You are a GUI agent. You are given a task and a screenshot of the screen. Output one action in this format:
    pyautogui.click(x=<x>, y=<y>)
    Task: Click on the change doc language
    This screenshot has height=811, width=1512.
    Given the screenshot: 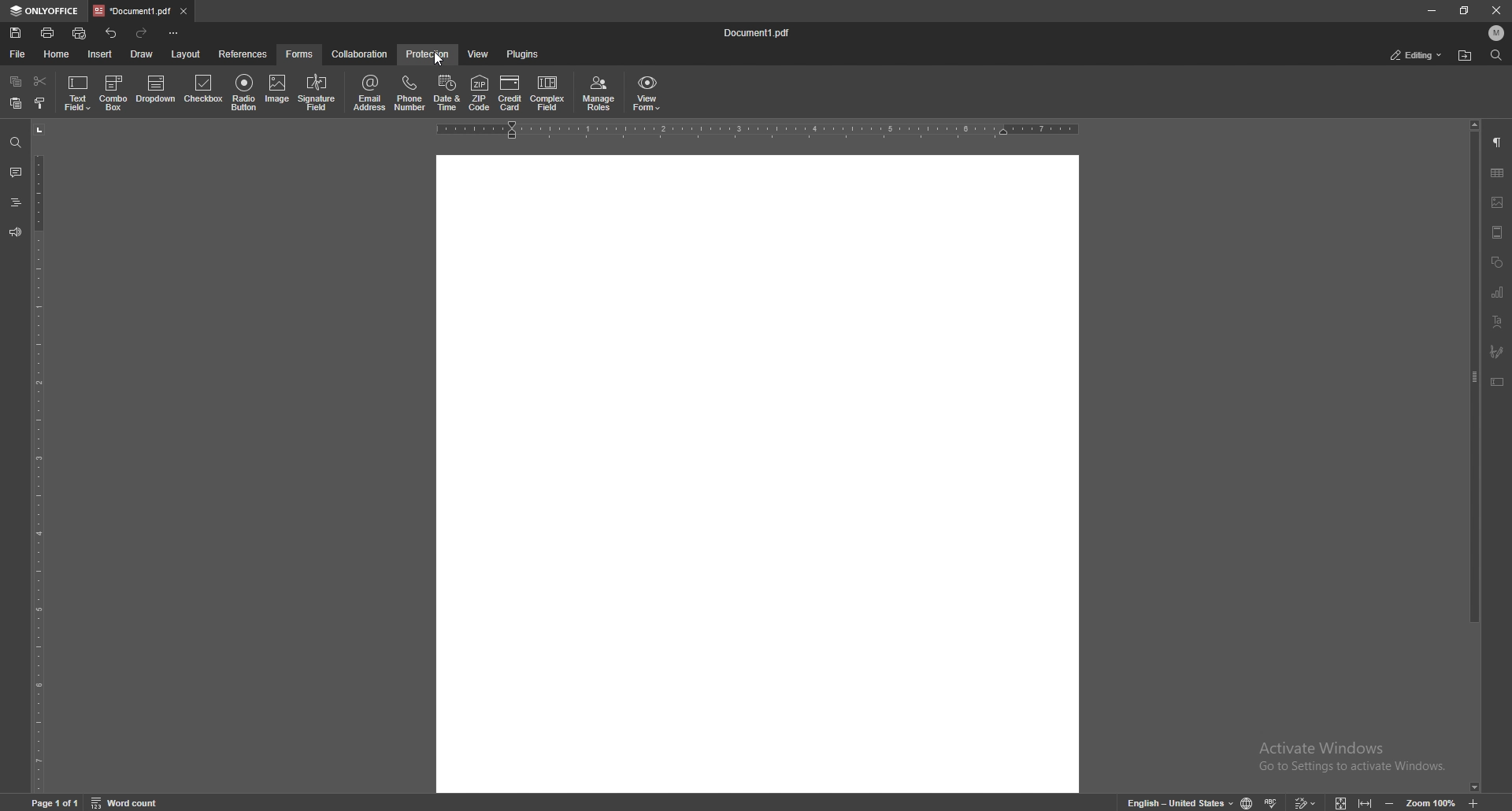 What is the action you would take?
    pyautogui.click(x=1241, y=802)
    